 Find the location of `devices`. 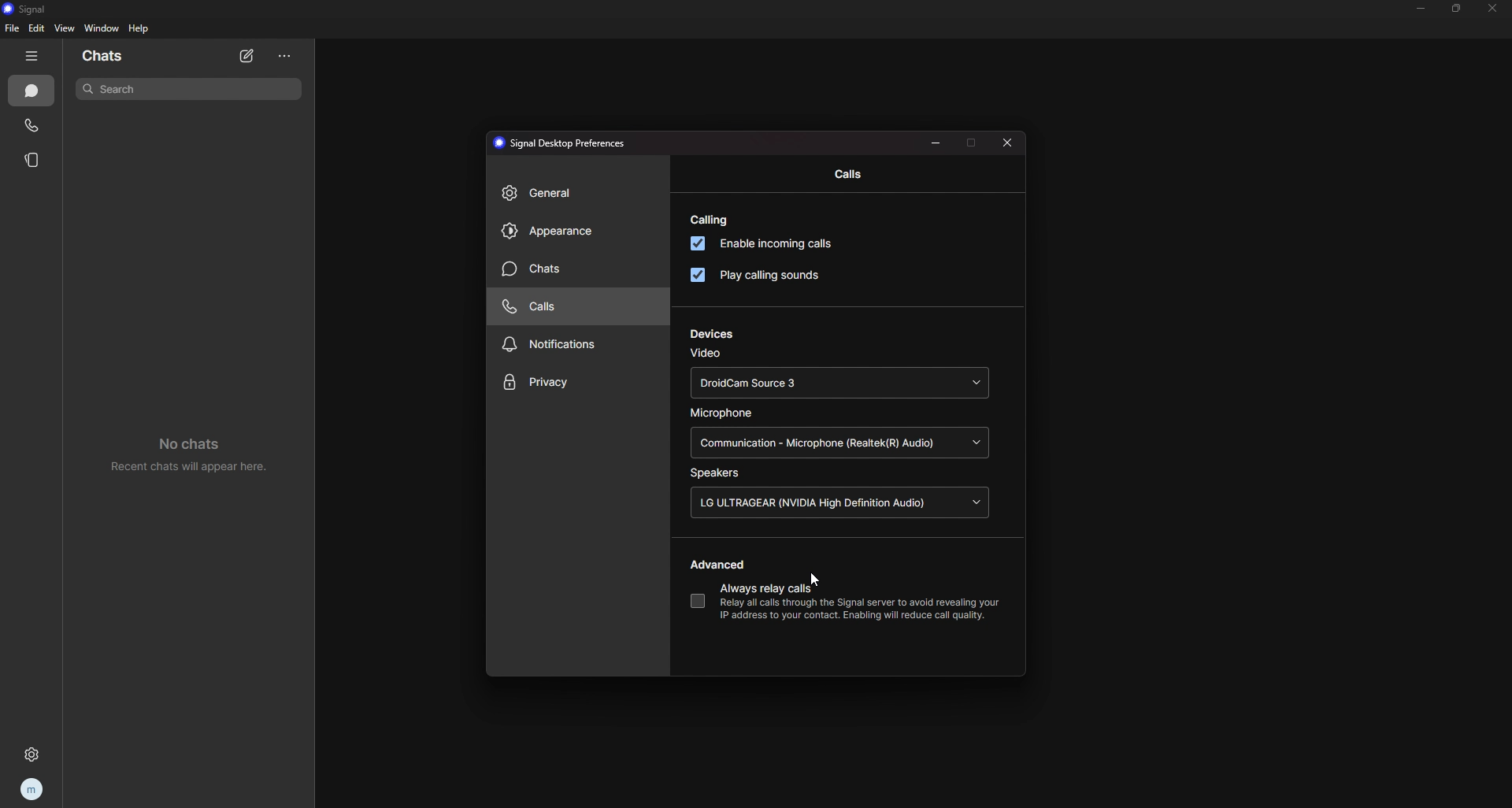

devices is located at coordinates (714, 334).